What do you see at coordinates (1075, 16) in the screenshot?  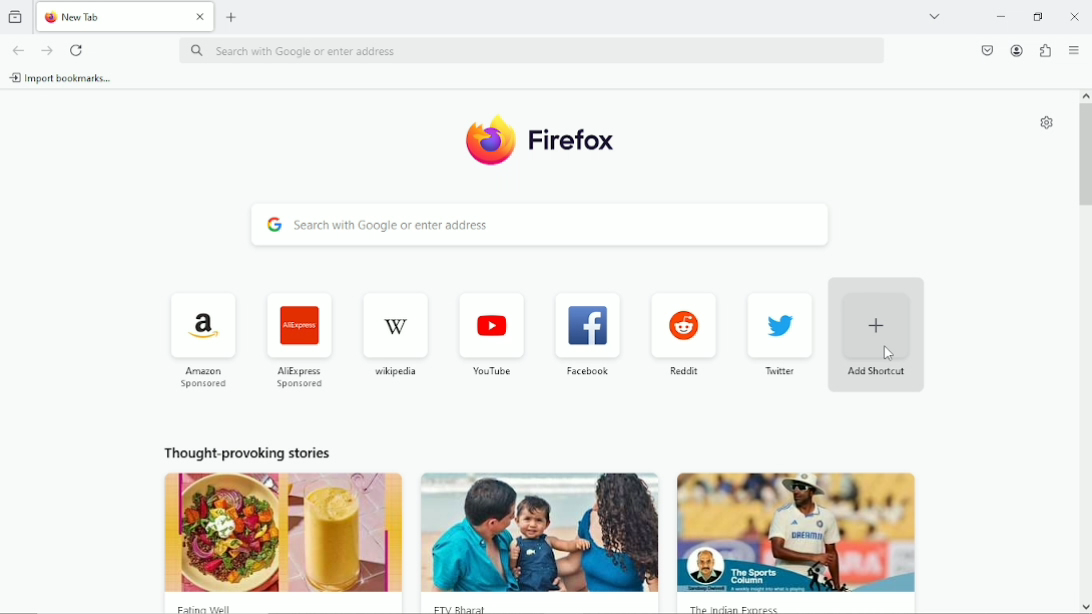 I see `Close` at bounding box center [1075, 16].